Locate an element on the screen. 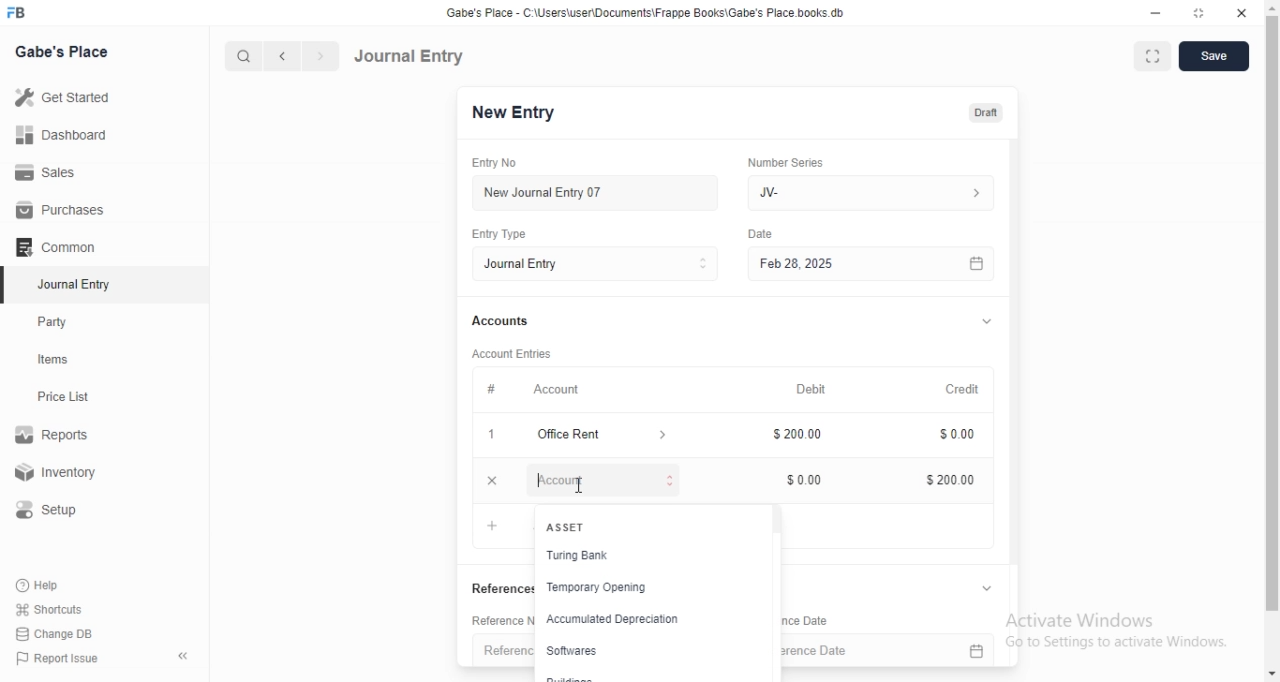 This screenshot has height=682, width=1280. « is located at coordinates (185, 657).